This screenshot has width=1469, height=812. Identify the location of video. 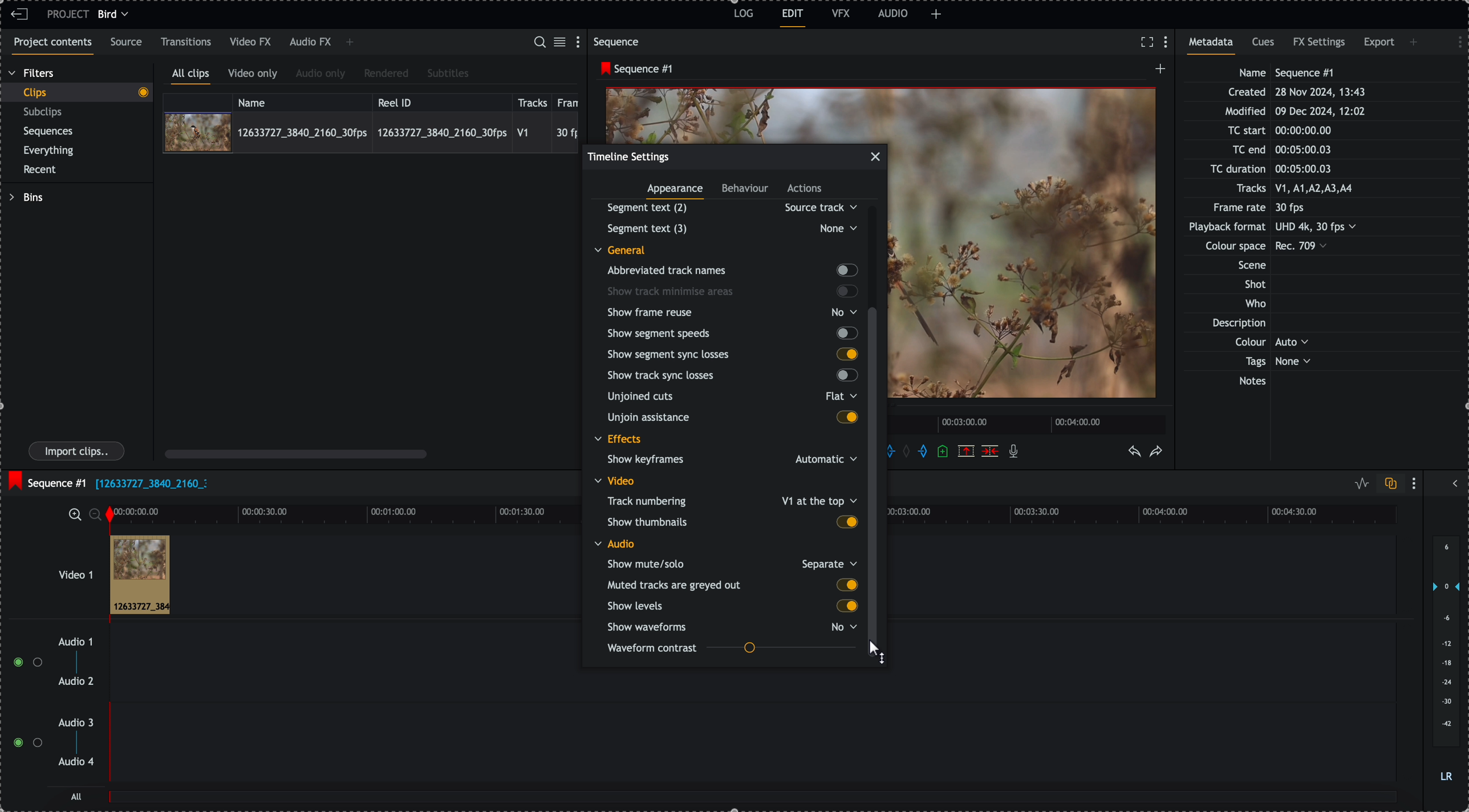
(618, 481).